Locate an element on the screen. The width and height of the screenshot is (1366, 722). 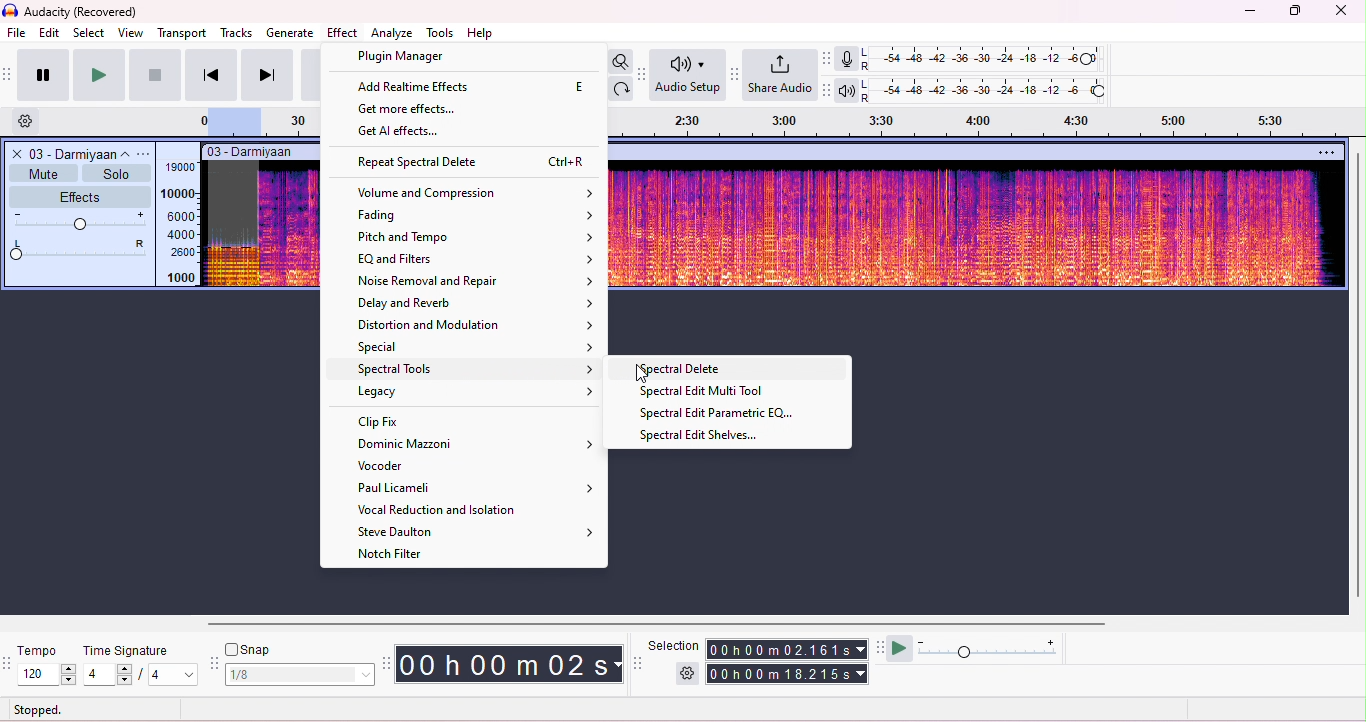
plugin manager is located at coordinates (400, 58).